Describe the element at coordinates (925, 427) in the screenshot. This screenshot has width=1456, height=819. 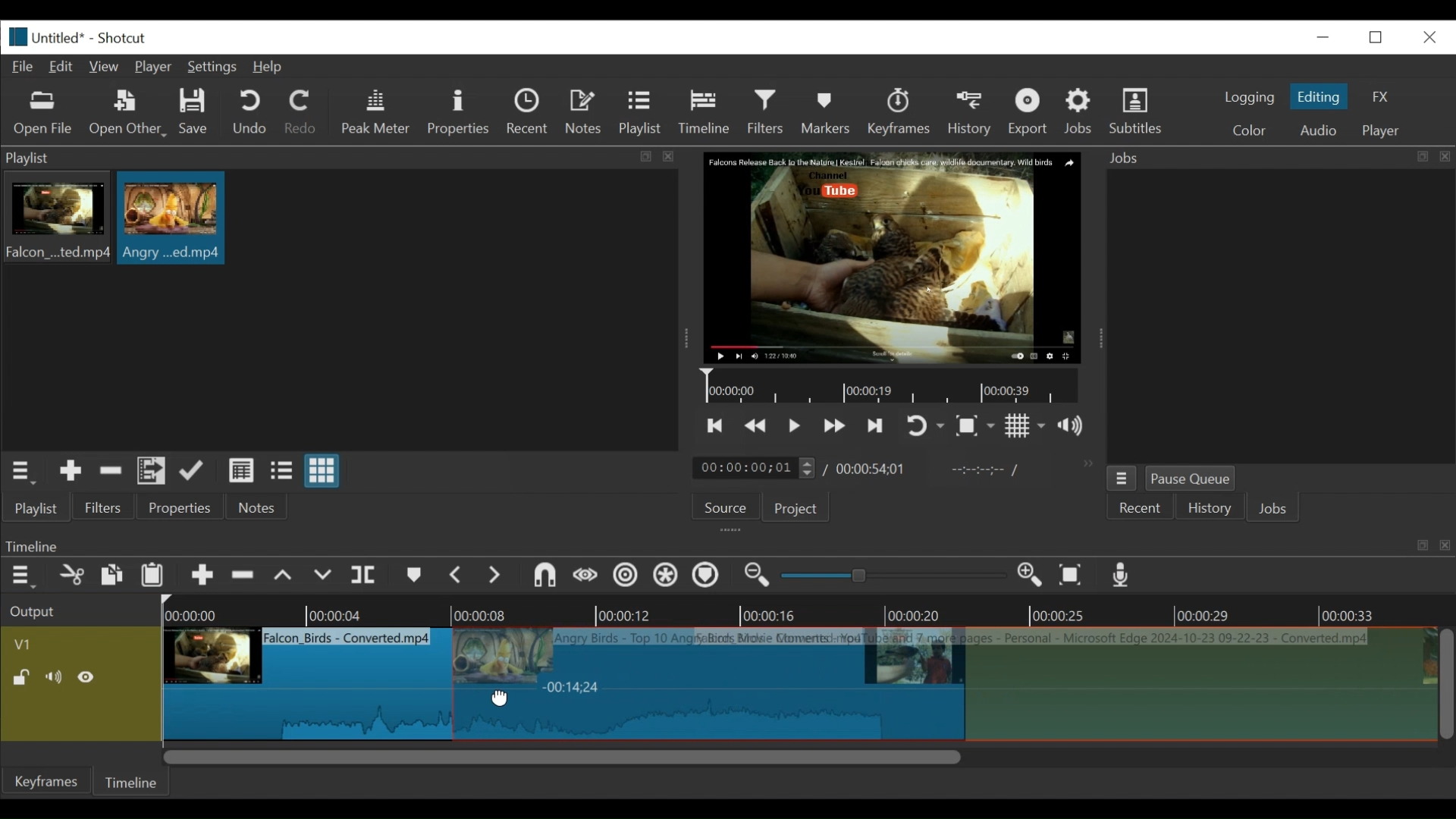
I see `toggle player looping` at that location.